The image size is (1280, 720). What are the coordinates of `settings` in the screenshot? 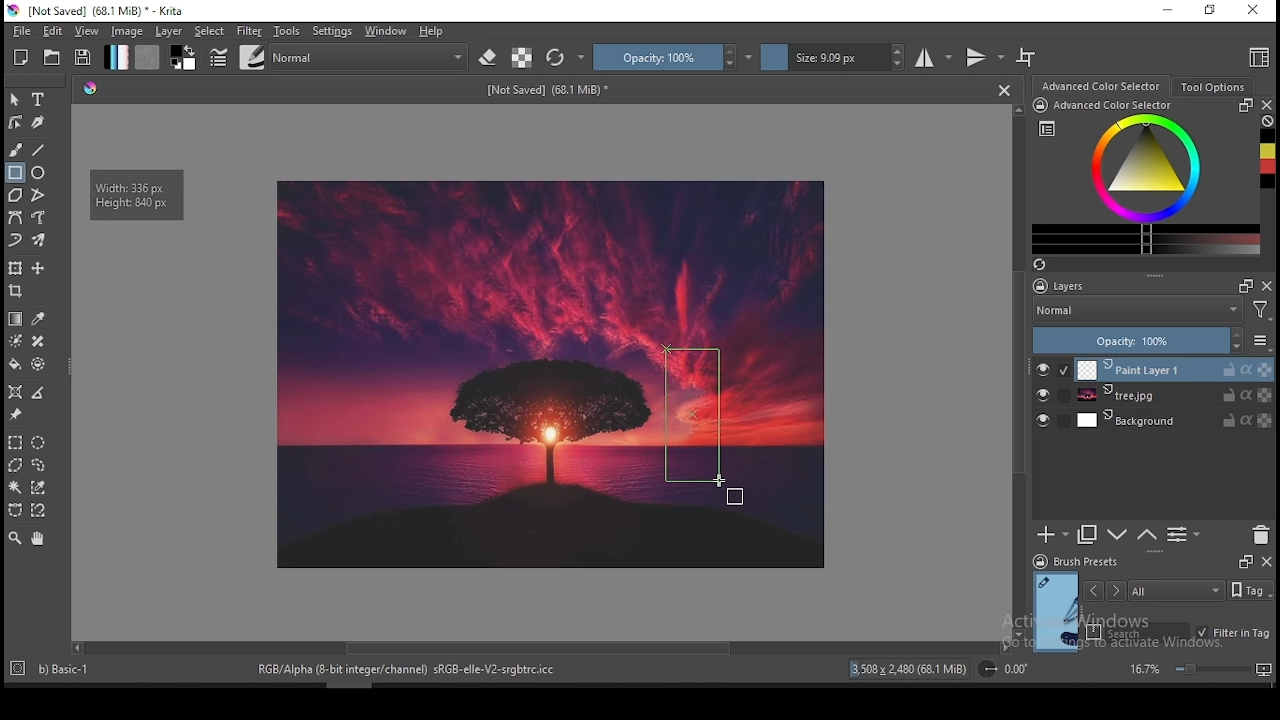 It's located at (332, 31).